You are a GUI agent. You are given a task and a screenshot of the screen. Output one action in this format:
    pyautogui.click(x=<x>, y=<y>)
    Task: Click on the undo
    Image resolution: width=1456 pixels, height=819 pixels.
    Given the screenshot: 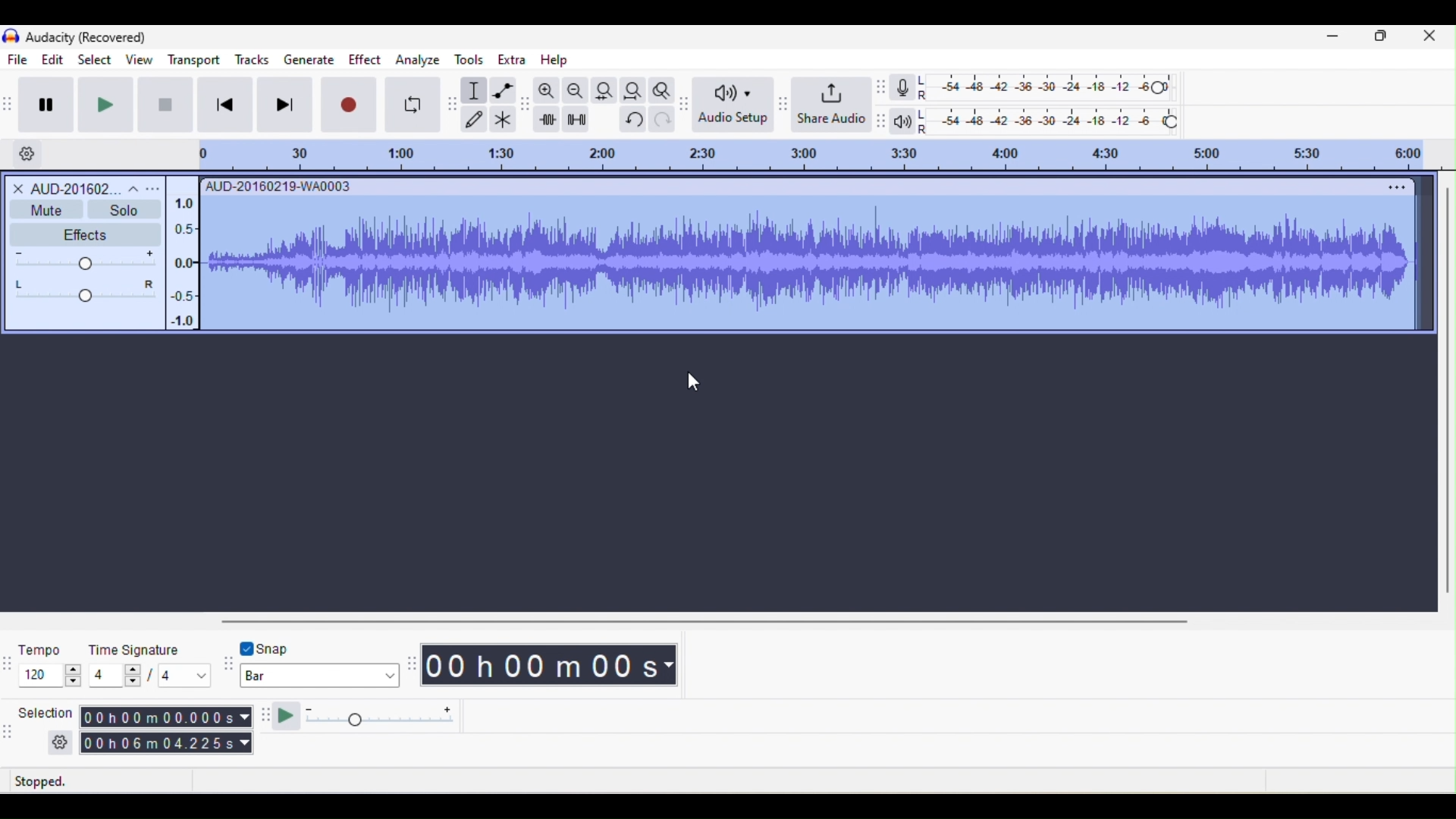 What is the action you would take?
    pyautogui.click(x=630, y=123)
    